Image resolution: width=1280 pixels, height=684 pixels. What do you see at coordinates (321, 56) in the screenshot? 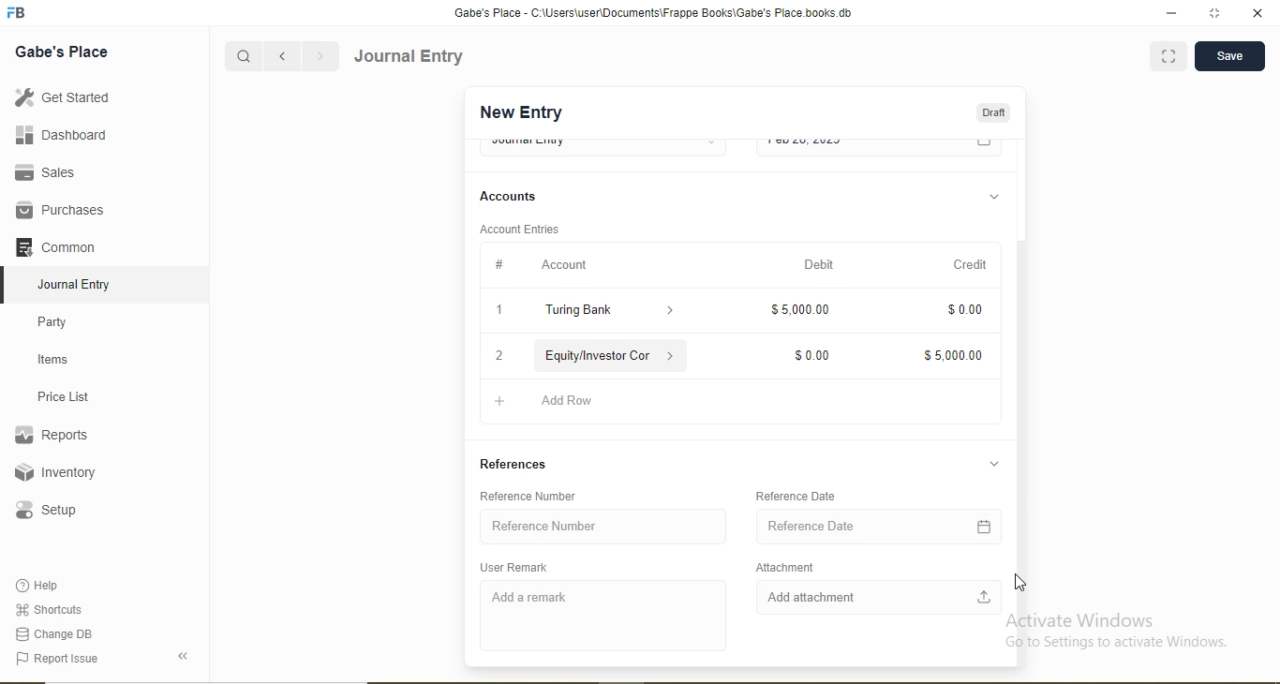
I see `Forward` at bounding box center [321, 56].